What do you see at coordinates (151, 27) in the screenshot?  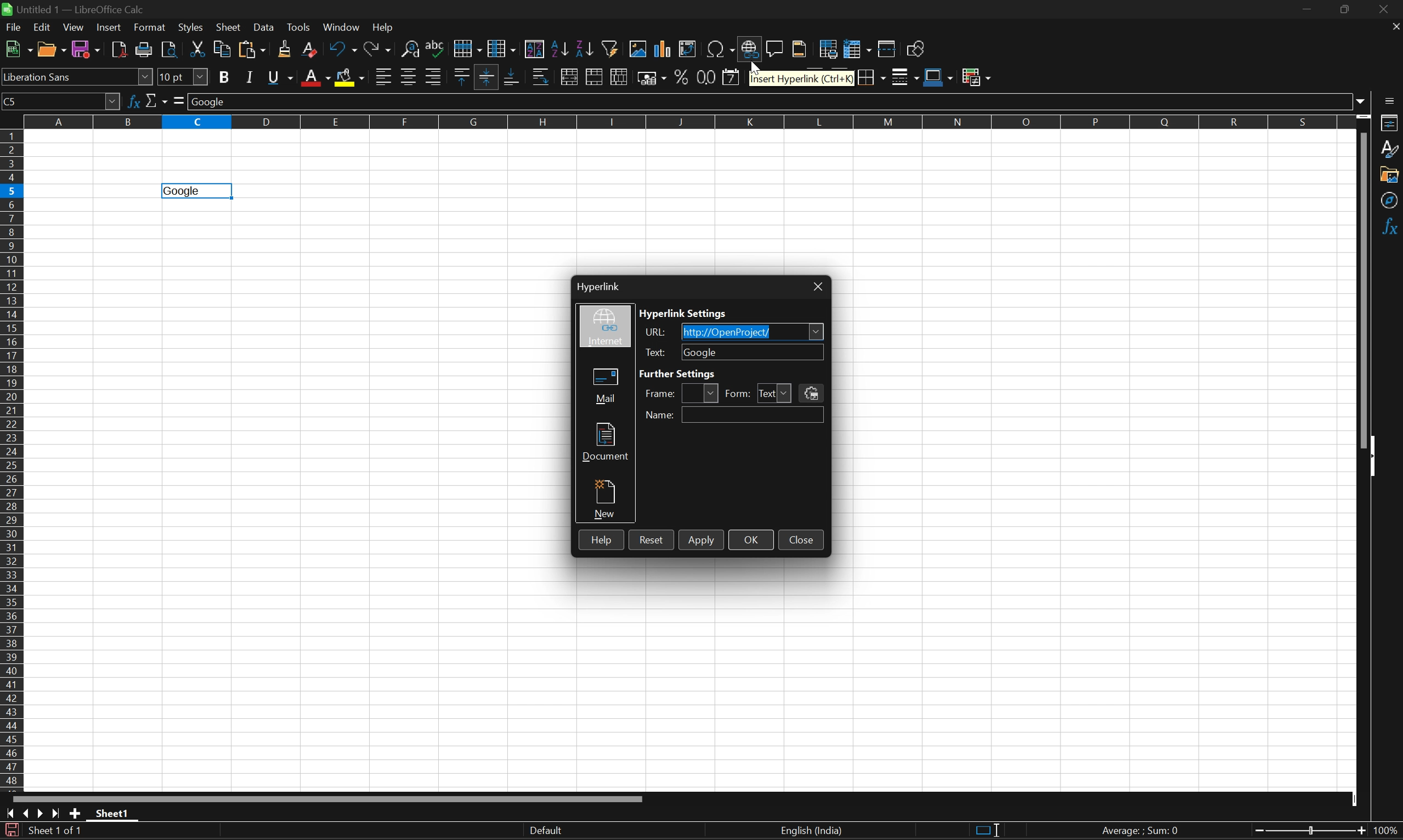 I see `Format` at bounding box center [151, 27].